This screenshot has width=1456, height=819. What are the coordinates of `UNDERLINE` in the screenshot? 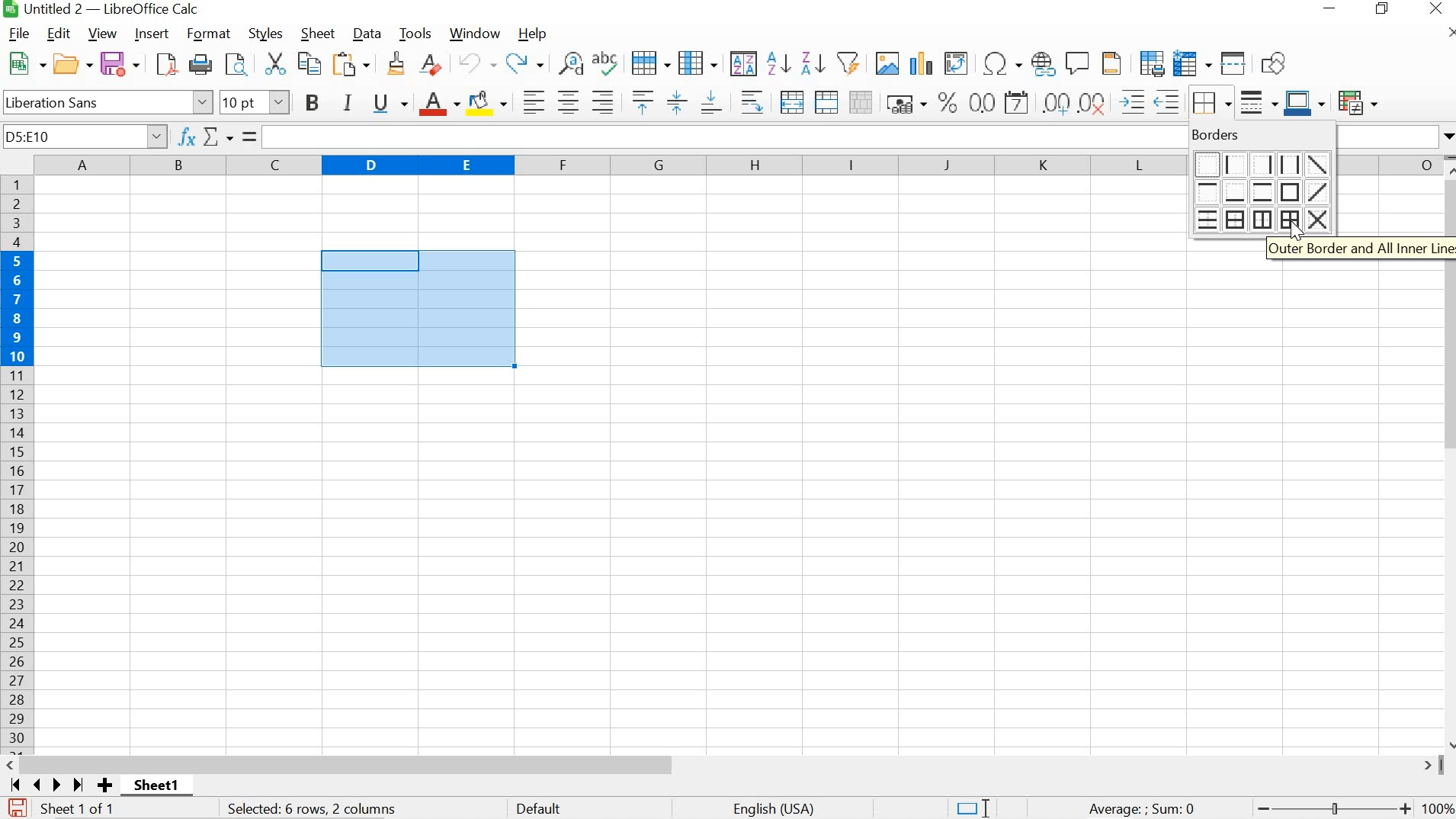 It's located at (390, 104).